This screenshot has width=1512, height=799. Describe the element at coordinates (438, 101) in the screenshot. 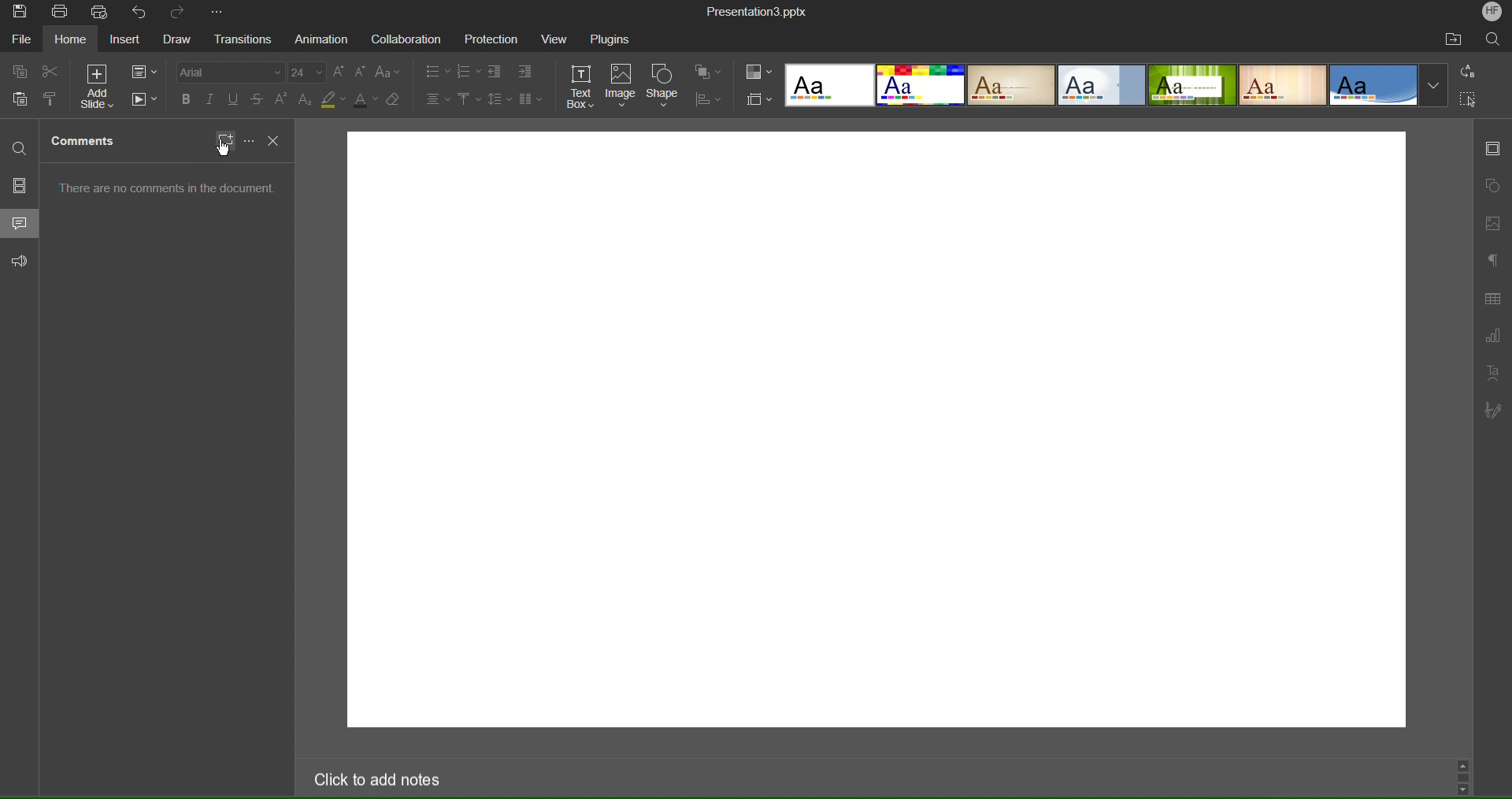

I see `Alignment` at that location.